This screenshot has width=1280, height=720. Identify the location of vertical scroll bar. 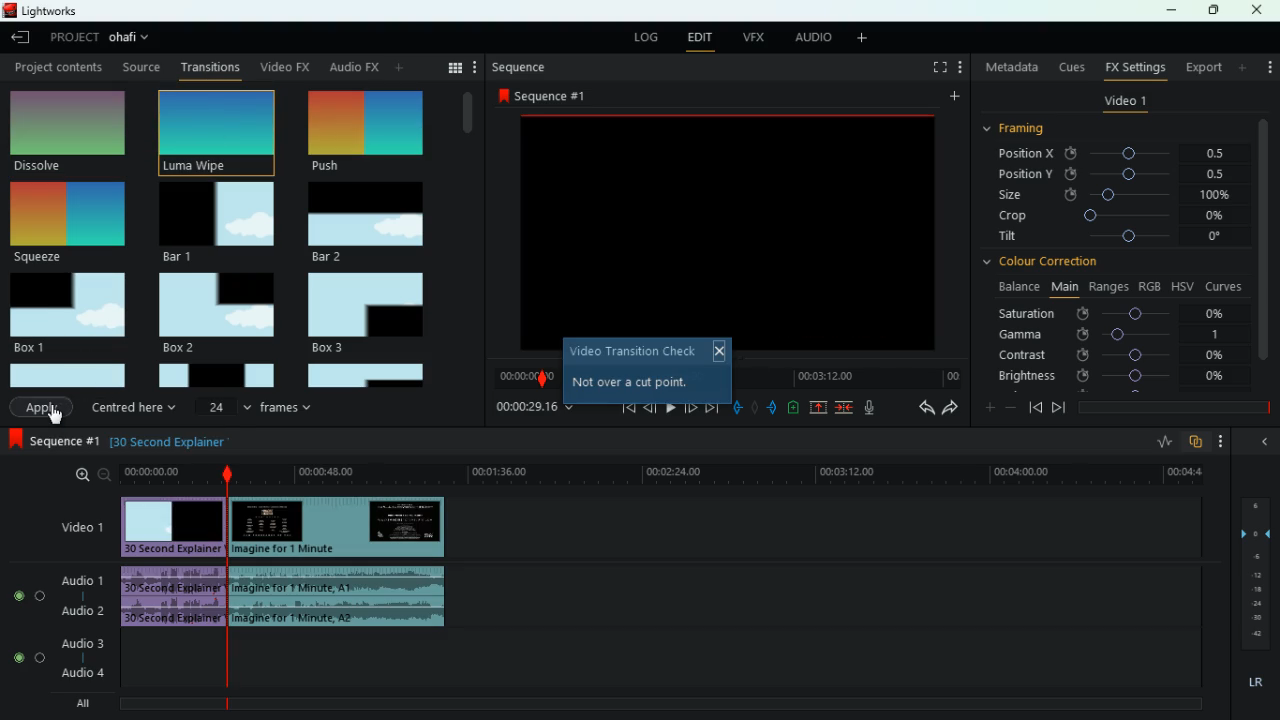
(1264, 253).